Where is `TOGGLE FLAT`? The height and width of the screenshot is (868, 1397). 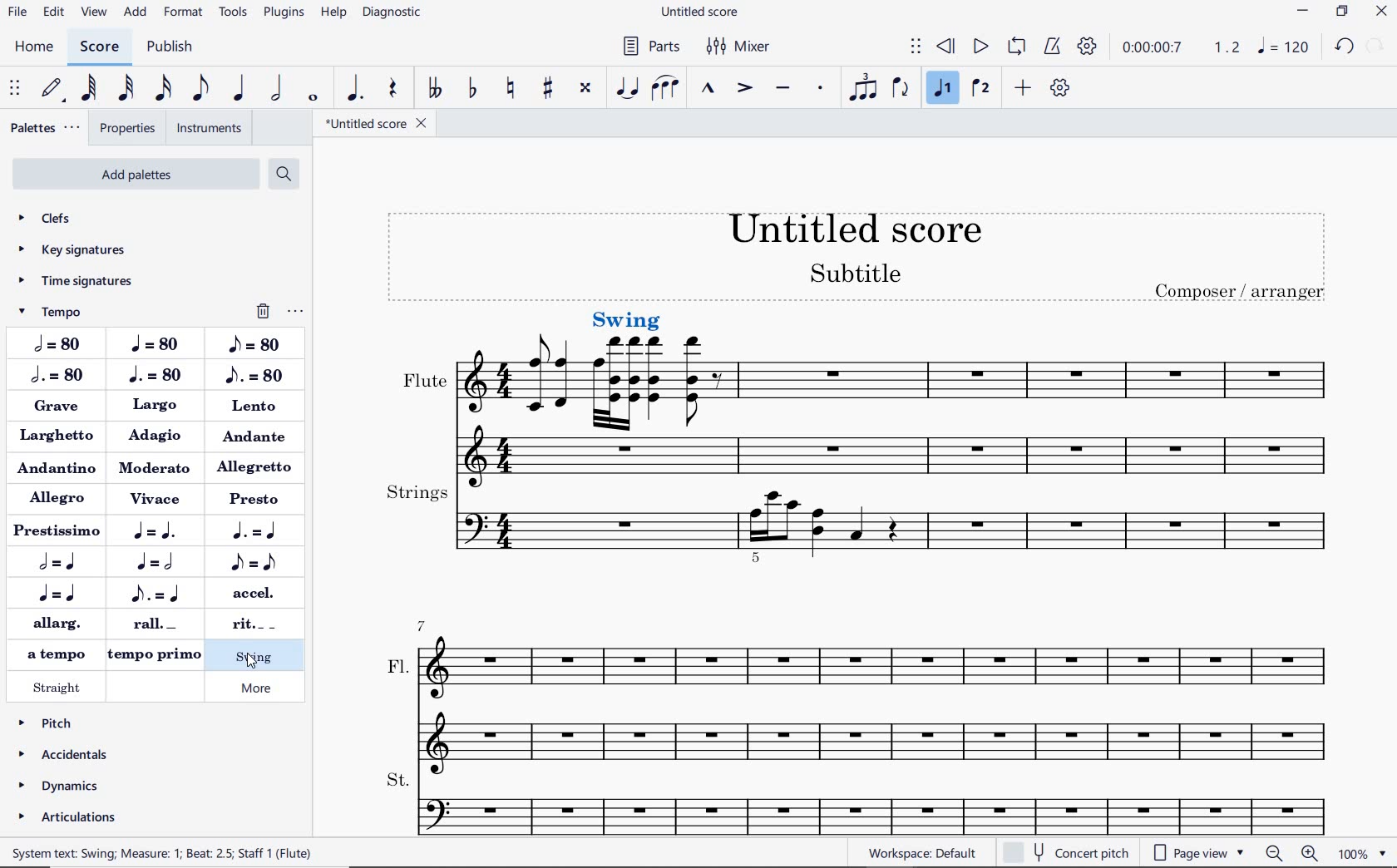 TOGGLE FLAT is located at coordinates (472, 89).